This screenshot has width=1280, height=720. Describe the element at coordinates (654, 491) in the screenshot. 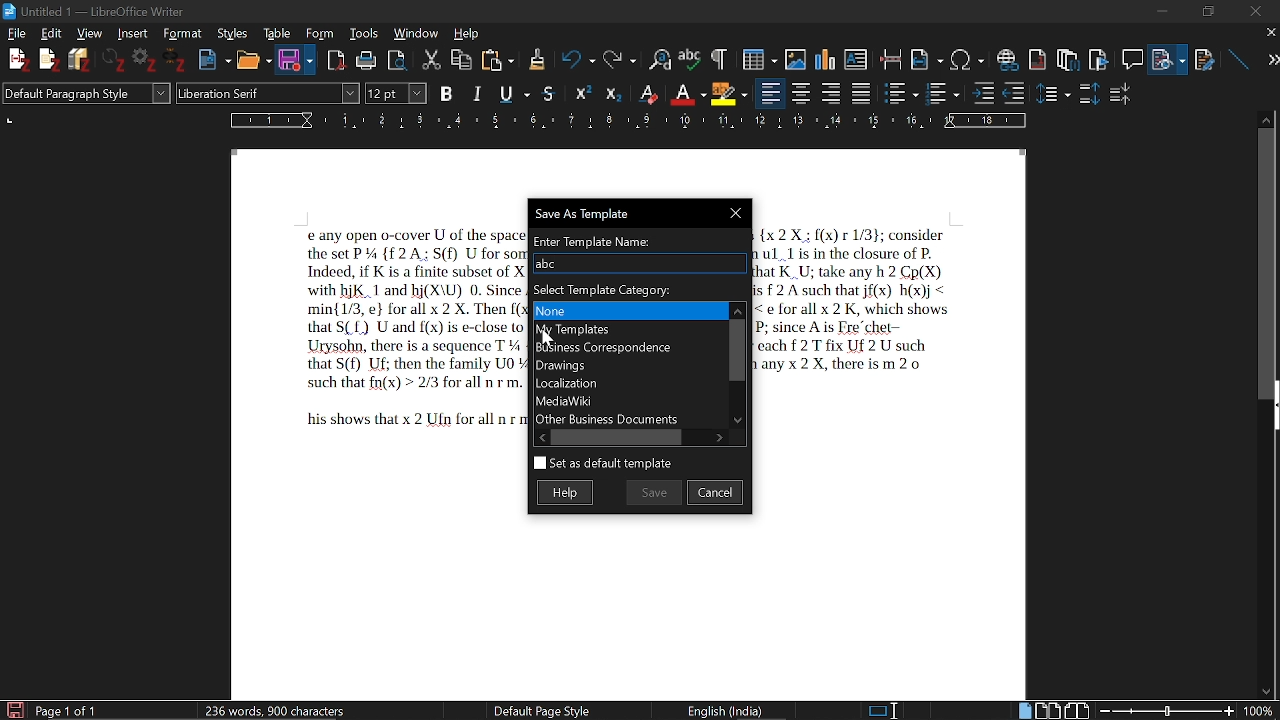

I see `Save` at that location.